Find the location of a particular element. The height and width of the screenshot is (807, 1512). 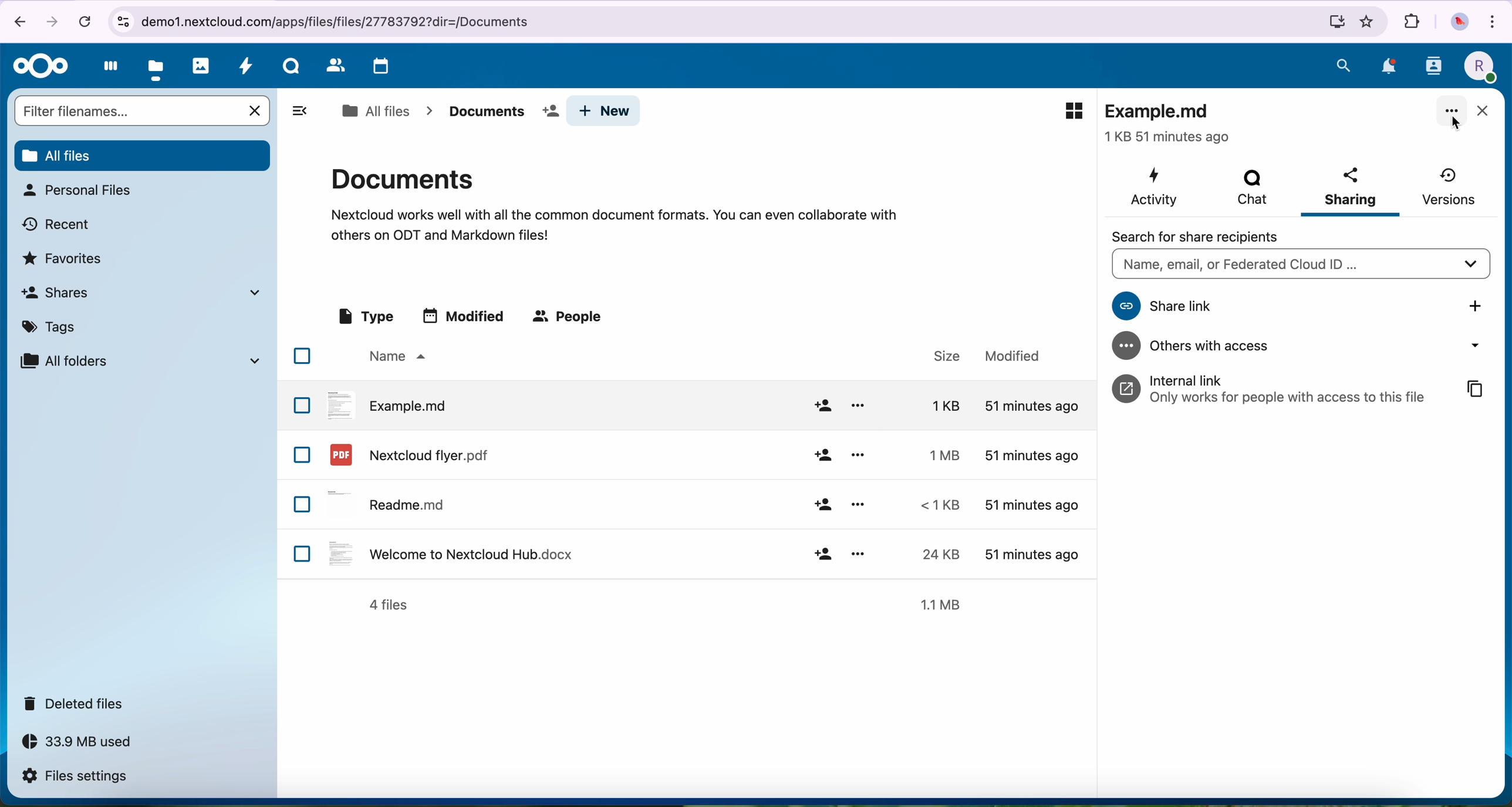

modified is located at coordinates (1030, 406).